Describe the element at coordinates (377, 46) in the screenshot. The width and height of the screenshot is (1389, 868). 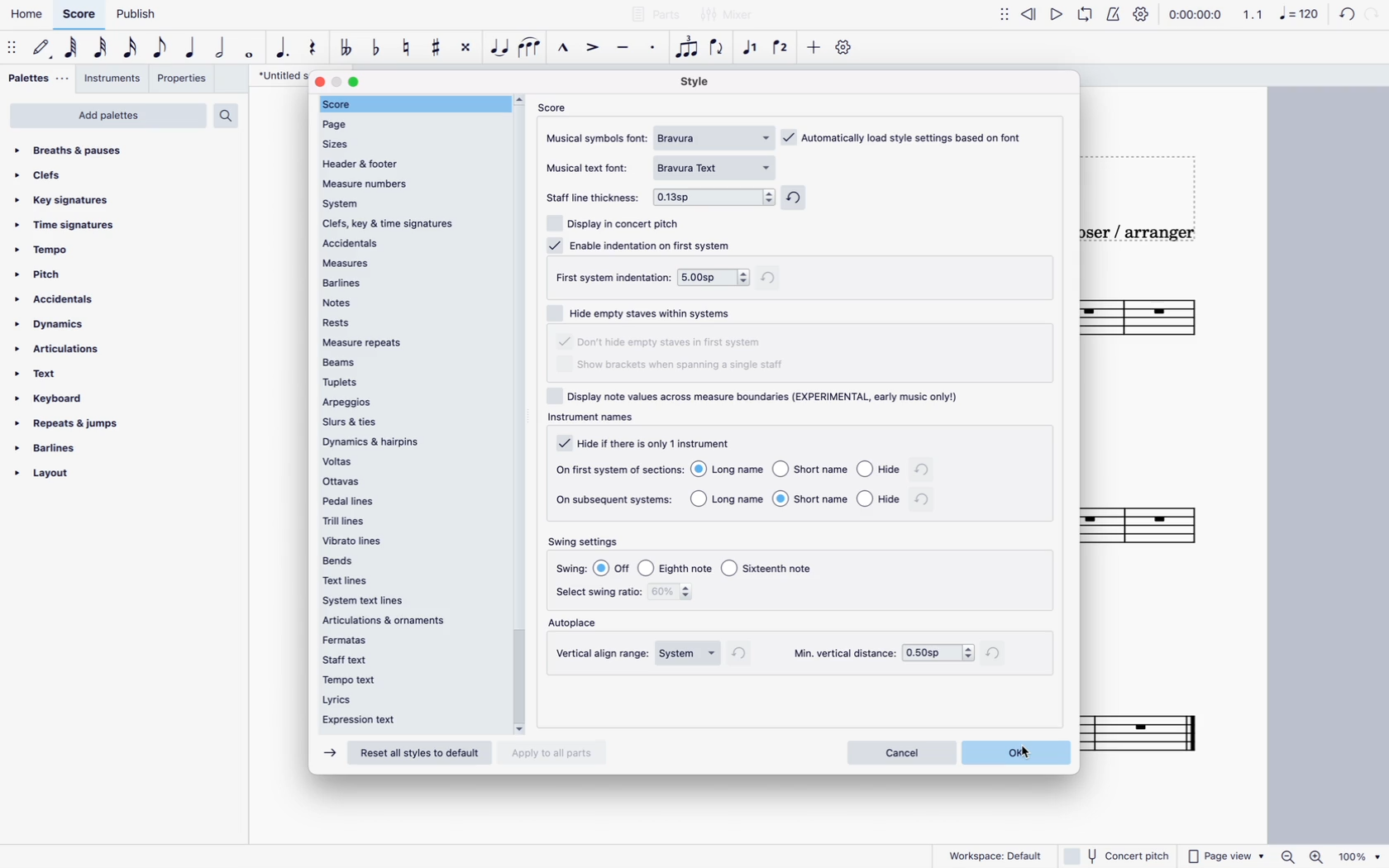
I see `tune` at that location.